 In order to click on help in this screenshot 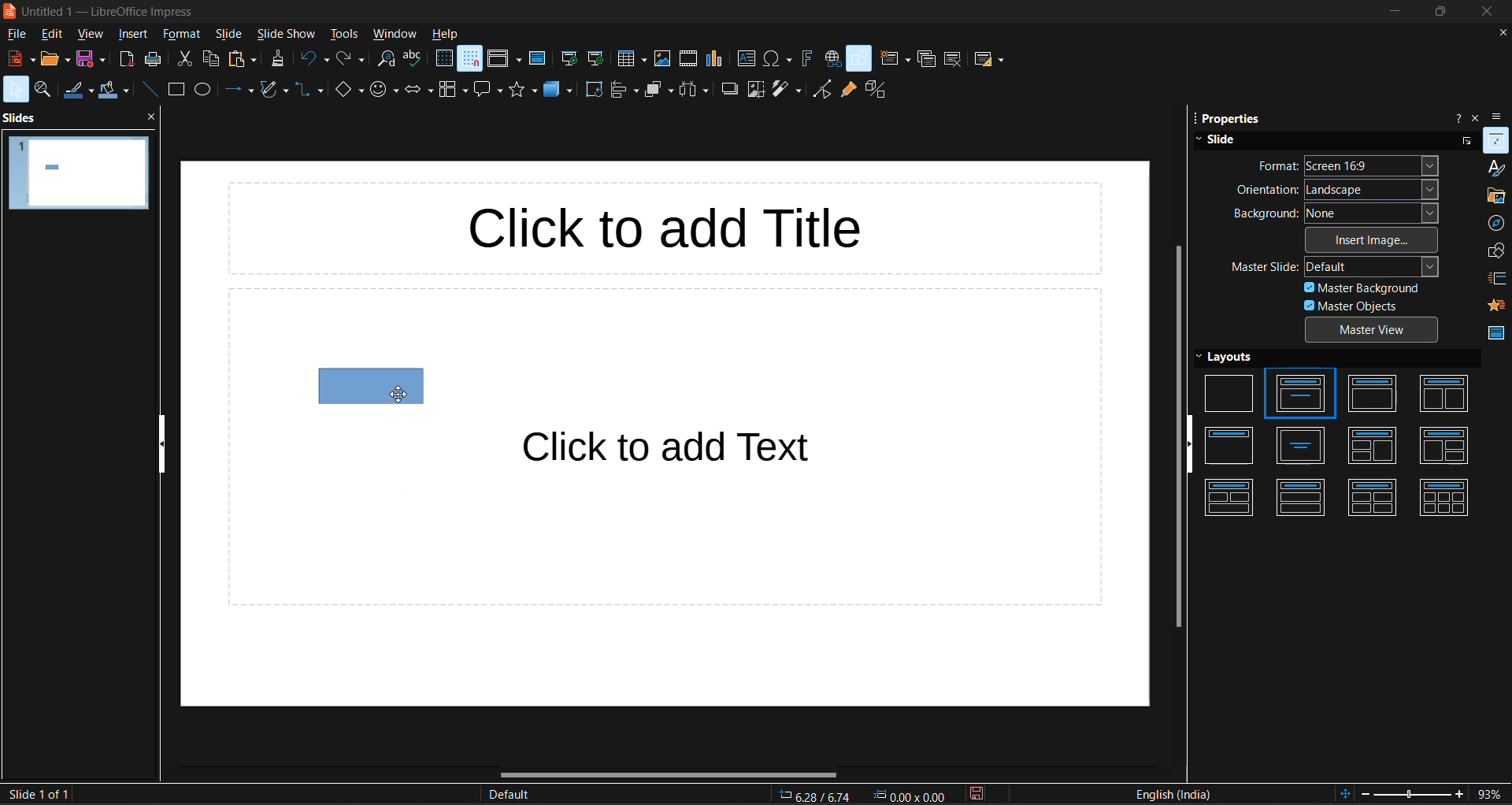, I will do `click(445, 34)`.